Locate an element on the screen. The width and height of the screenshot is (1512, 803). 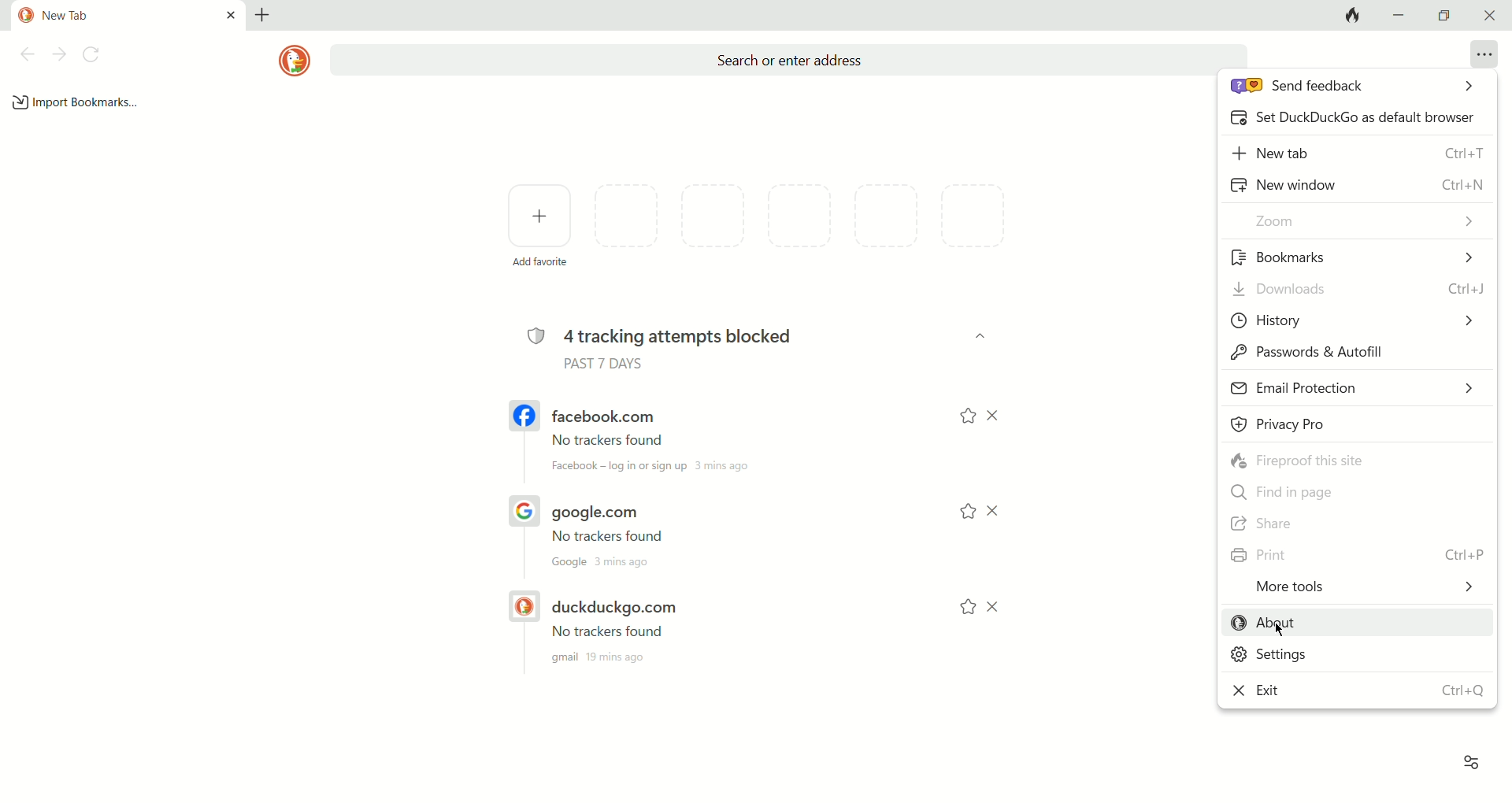
current tab is located at coordinates (121, 16).